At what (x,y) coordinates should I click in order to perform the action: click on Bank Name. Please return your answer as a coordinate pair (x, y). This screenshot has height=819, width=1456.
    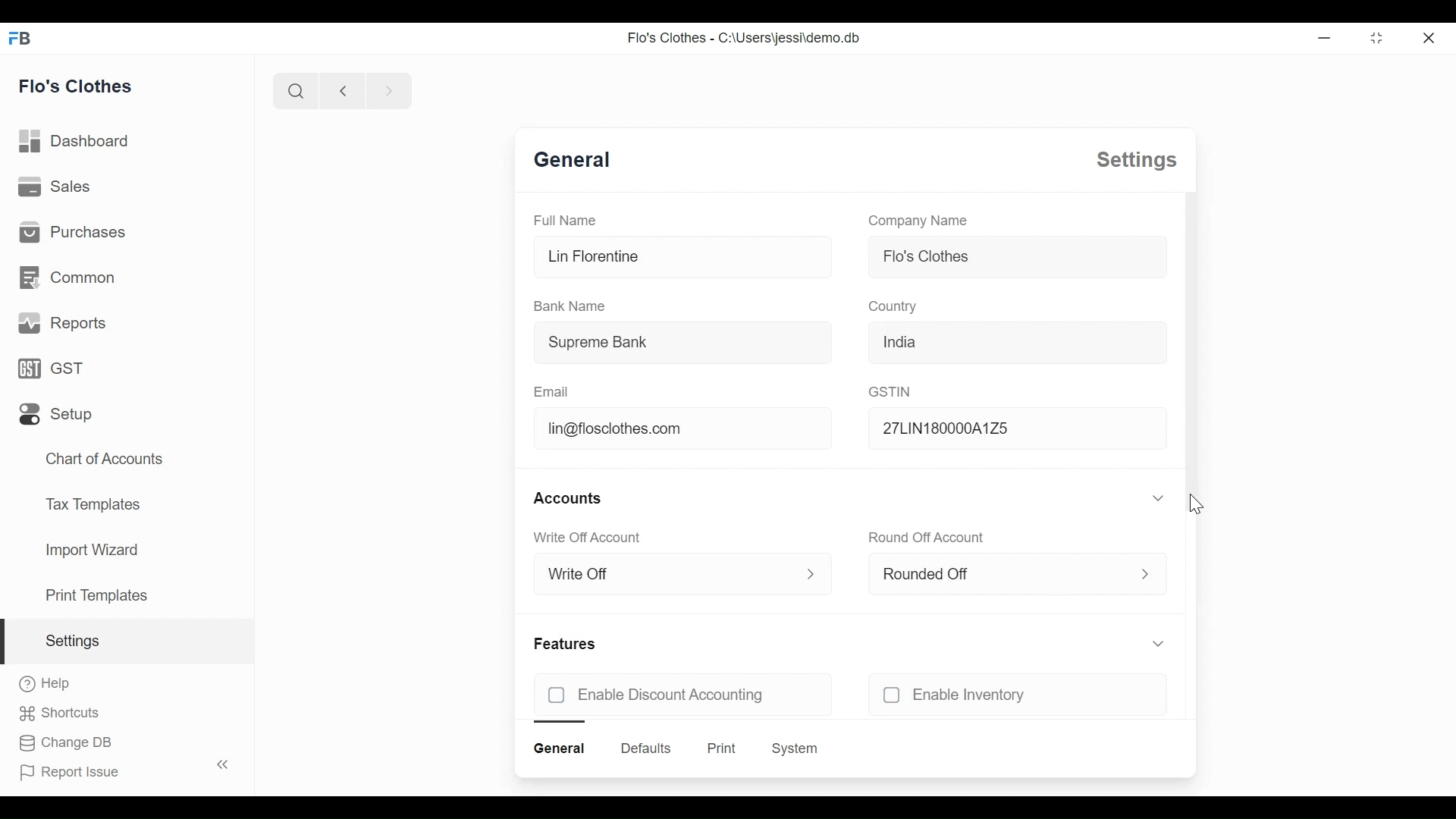
    Looking at the image, I should click on (571, 307).